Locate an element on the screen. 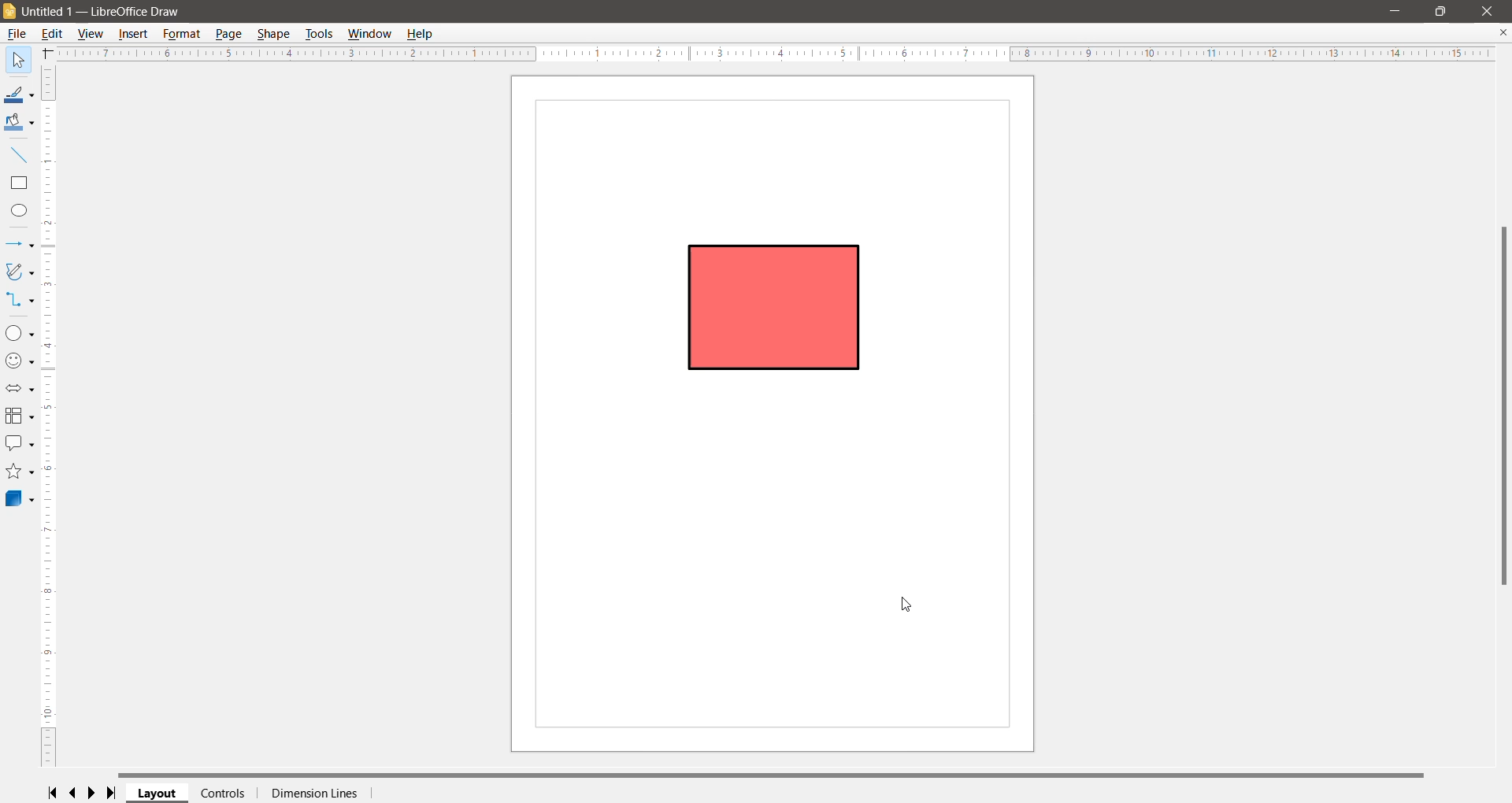 The image size is (1512, 803). Ellipse is located at coordinates (19, 210).